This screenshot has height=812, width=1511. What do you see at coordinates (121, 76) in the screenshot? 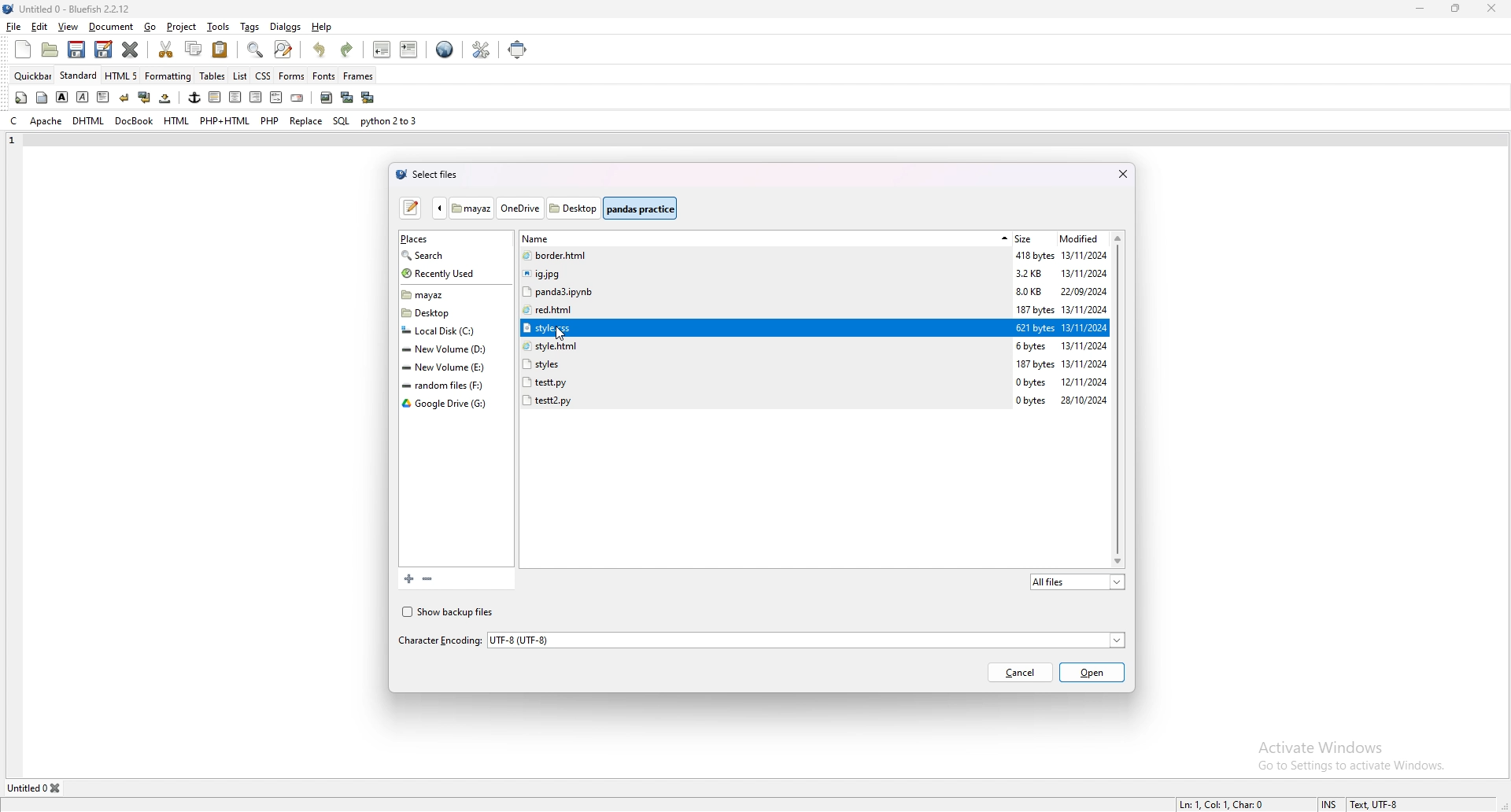
I see `html 5` at bounding box center [121, 76].